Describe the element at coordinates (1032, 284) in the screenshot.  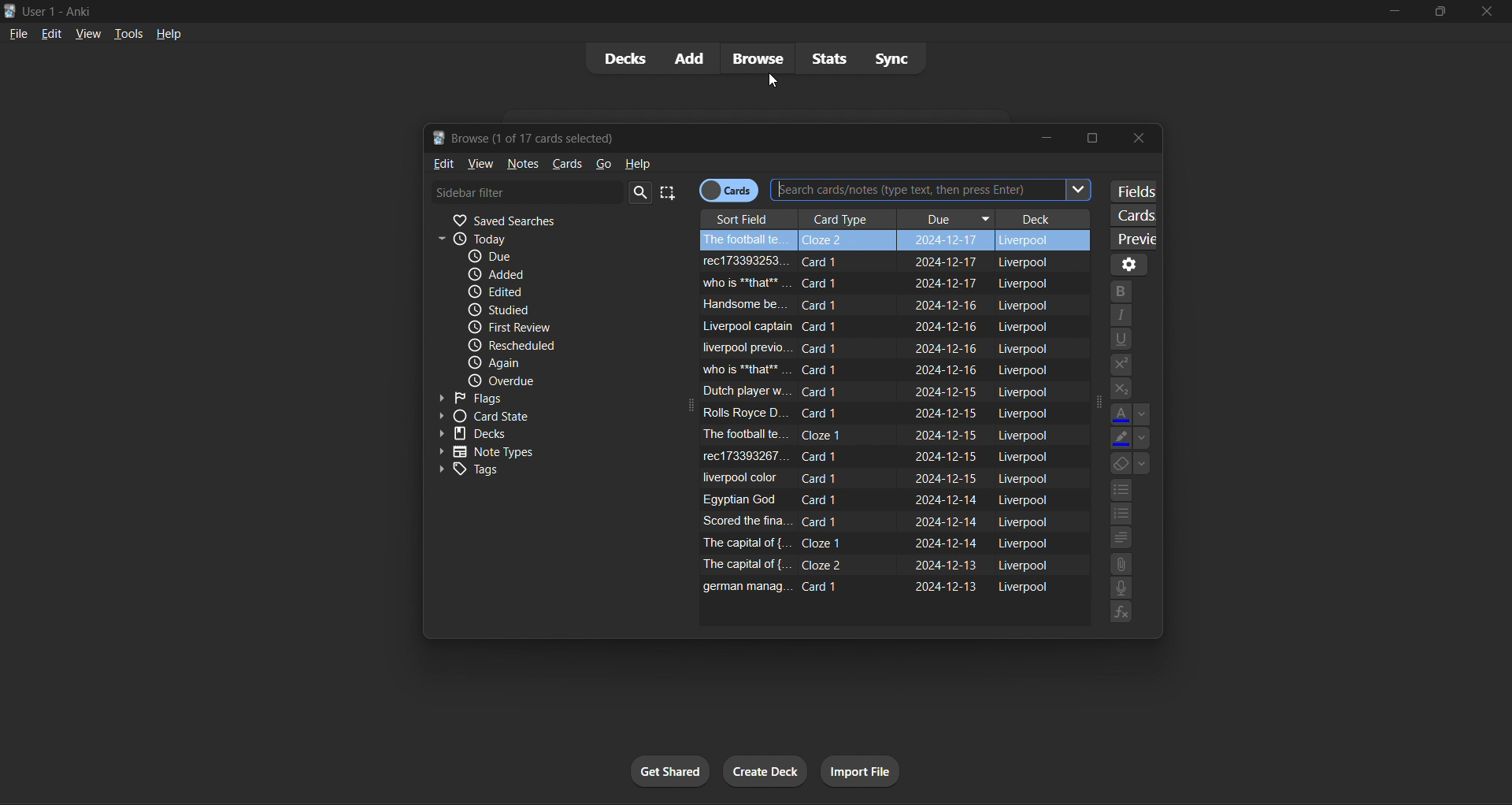
I see `liverpool` at that location.